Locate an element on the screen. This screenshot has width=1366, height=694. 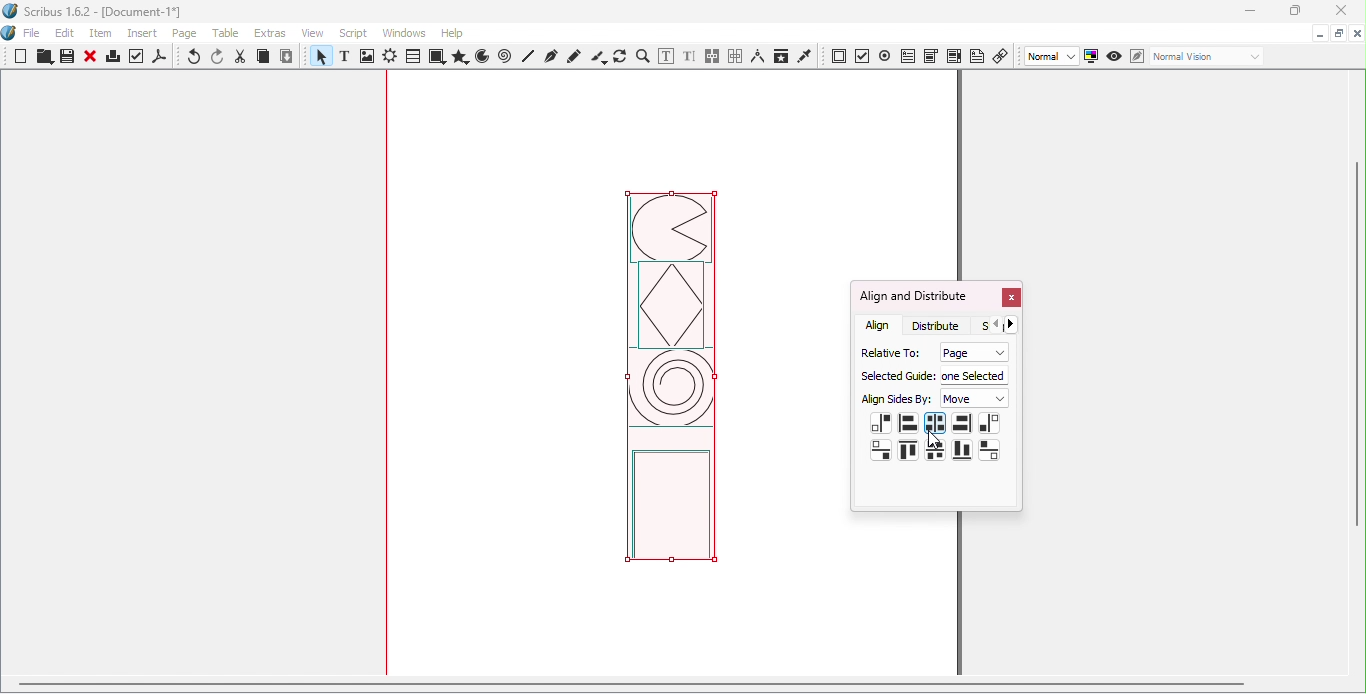
PDF combo box is located at coordinates (930, 56).